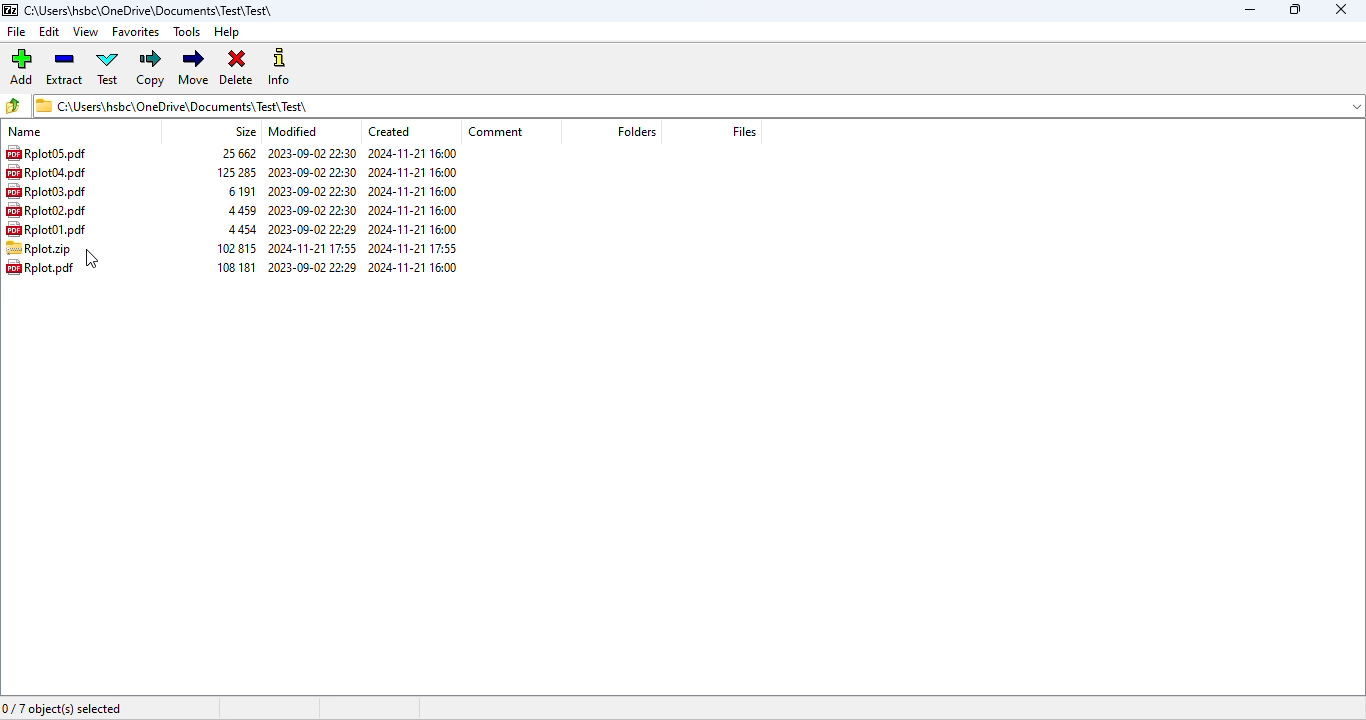 This screenshot has height=720, width=1366. I want to click on c\Users\hsbc\OneDrive\Documents\Test\, so click(155, 11).